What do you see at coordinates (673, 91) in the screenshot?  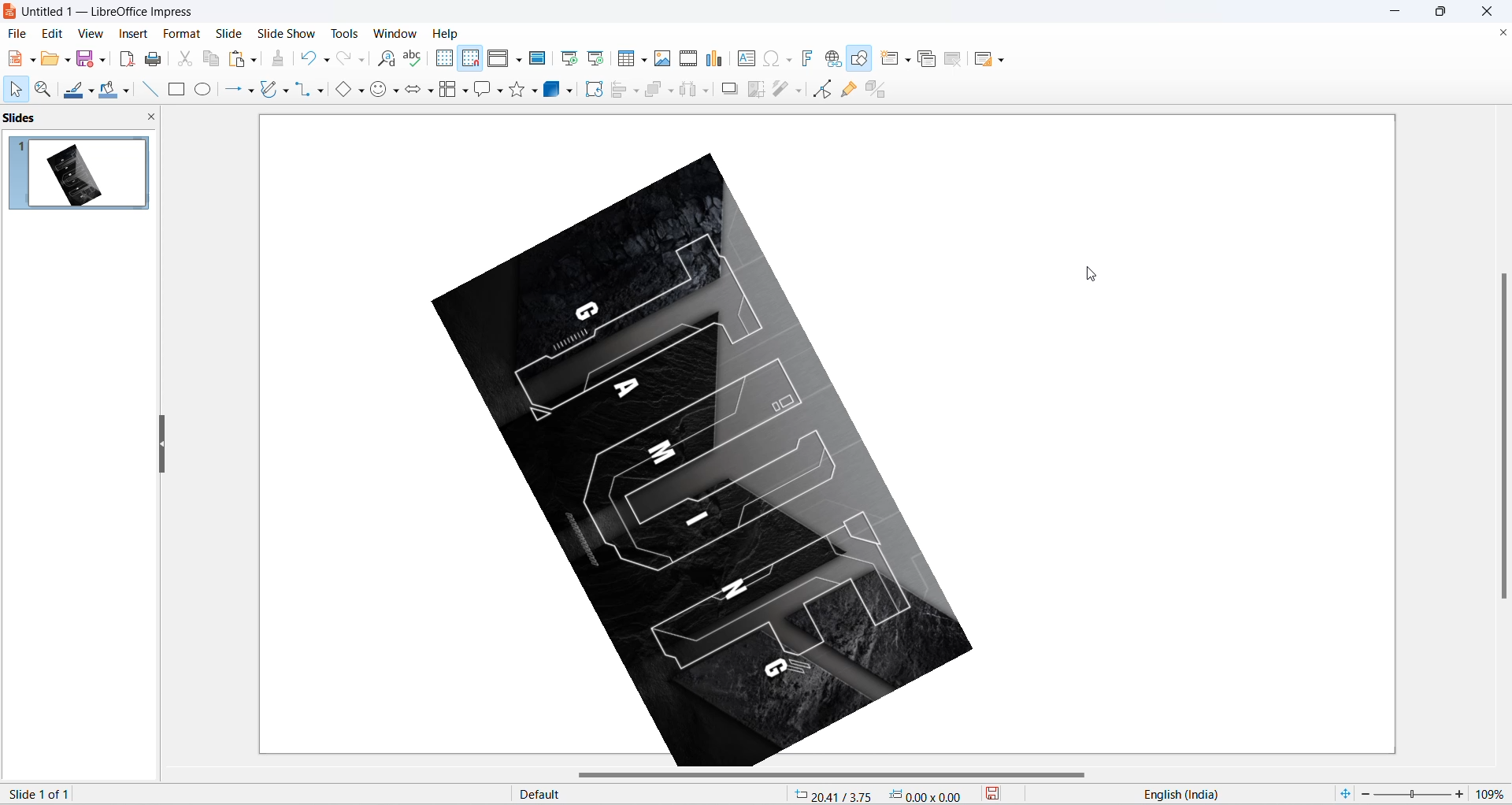 I see `arrange options` at bounding box center [673, 91].